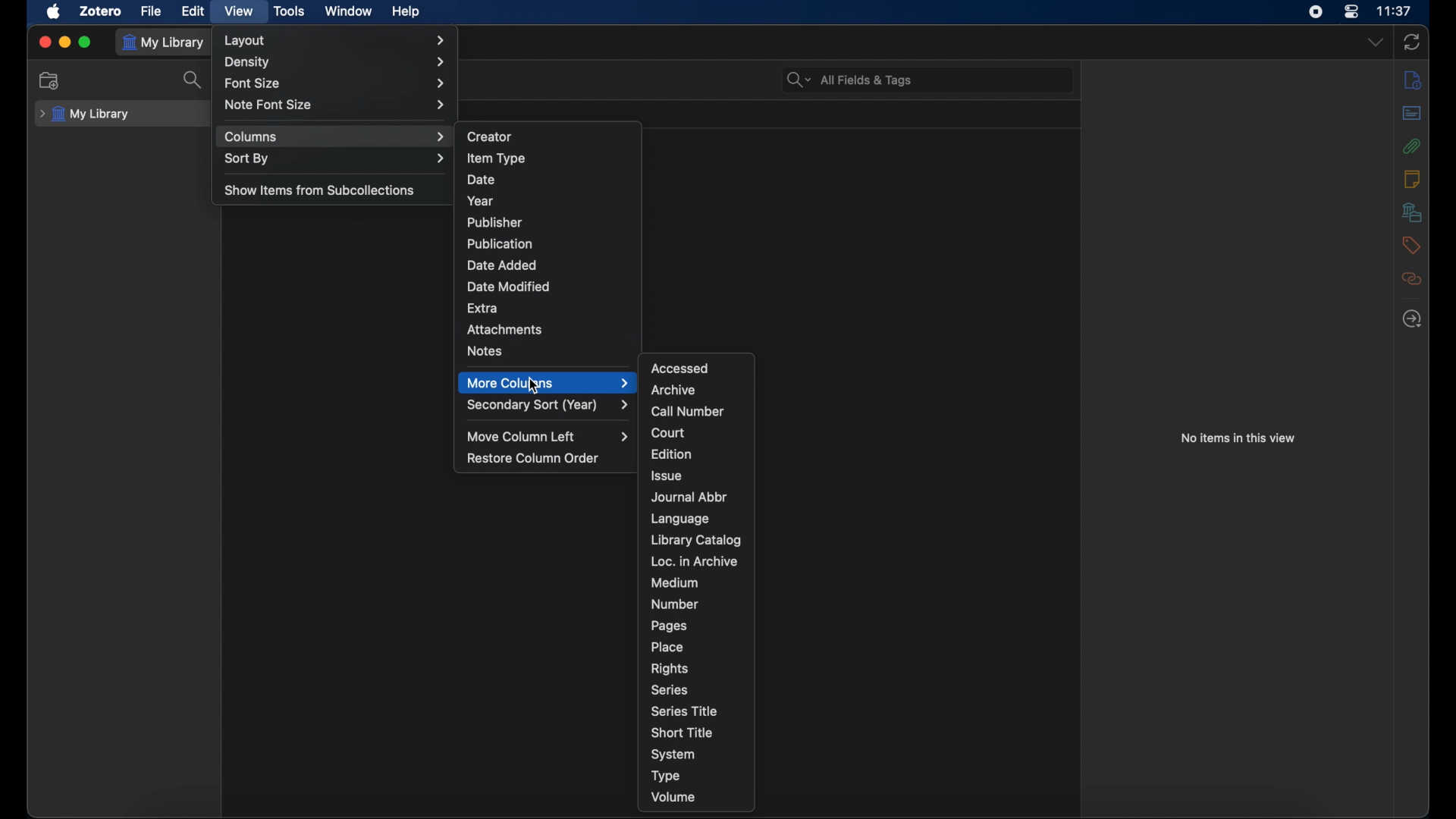 This screenshot has height=819, width=1456. What do you see at coordinates (668, 432) in the screenshot?
I see `court` at bounding box center [668, 432].